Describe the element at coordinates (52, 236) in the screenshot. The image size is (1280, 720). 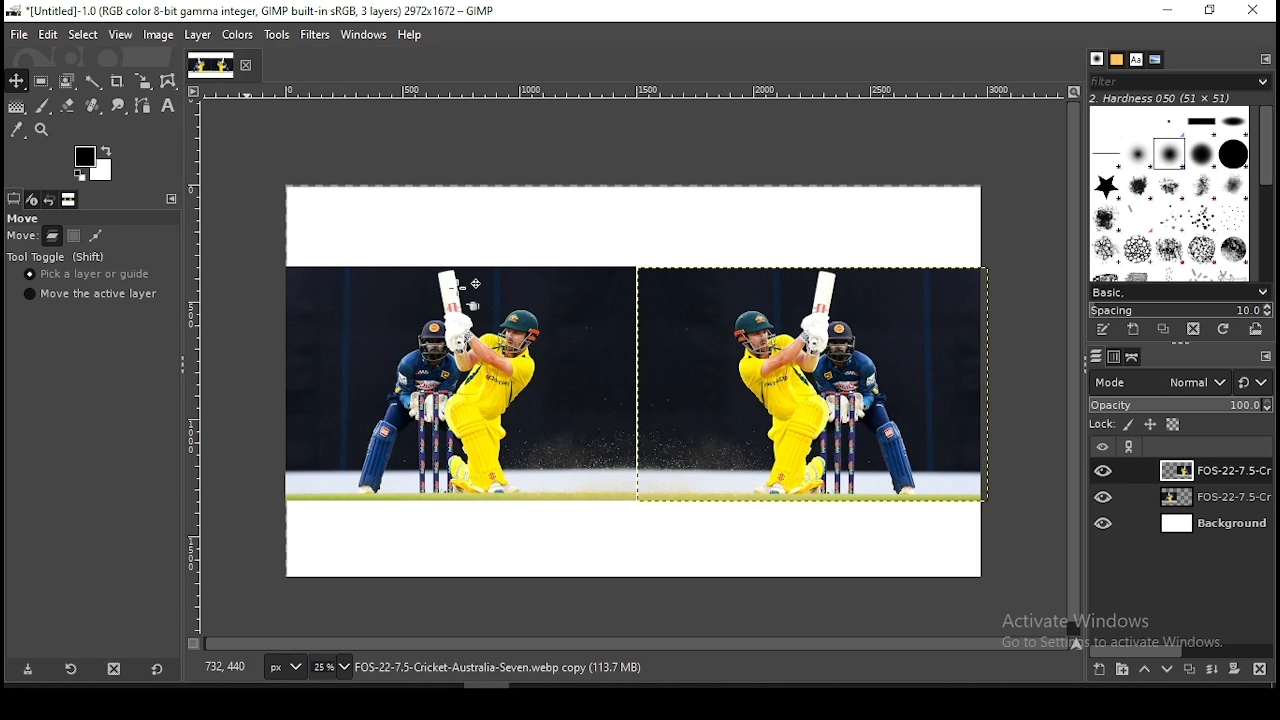
I see `move layer` at that location.